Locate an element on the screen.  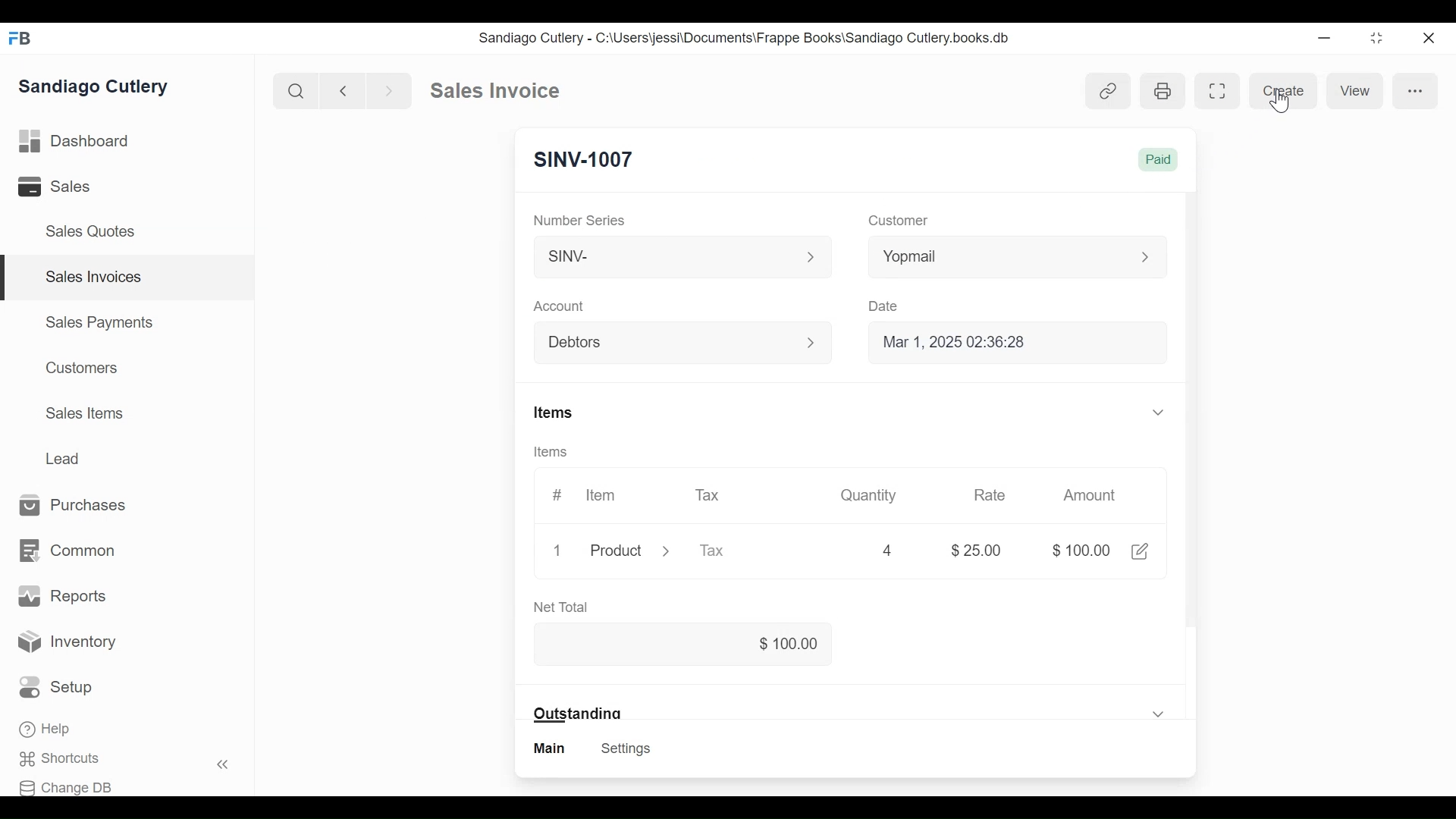
Dashboard is located at coordinates (74, 141).